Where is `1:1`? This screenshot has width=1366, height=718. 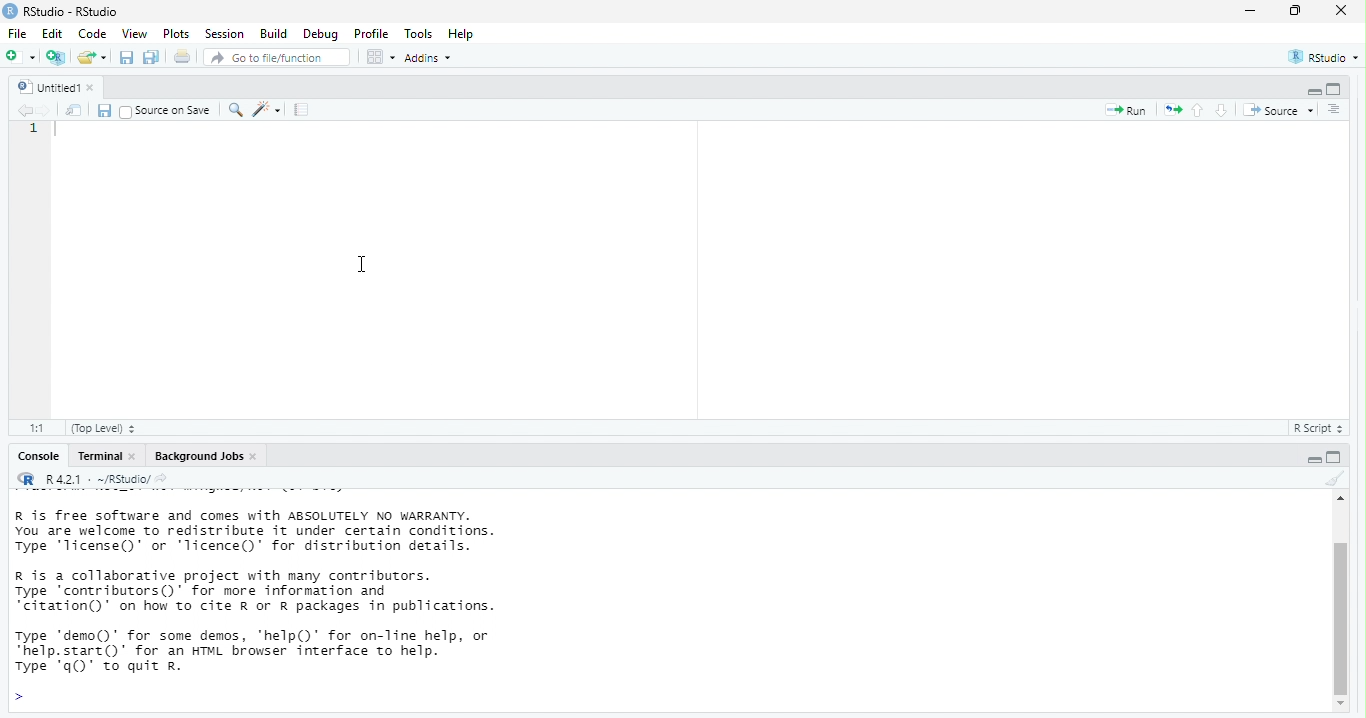
1:1 is located at coordinates (30, 426).